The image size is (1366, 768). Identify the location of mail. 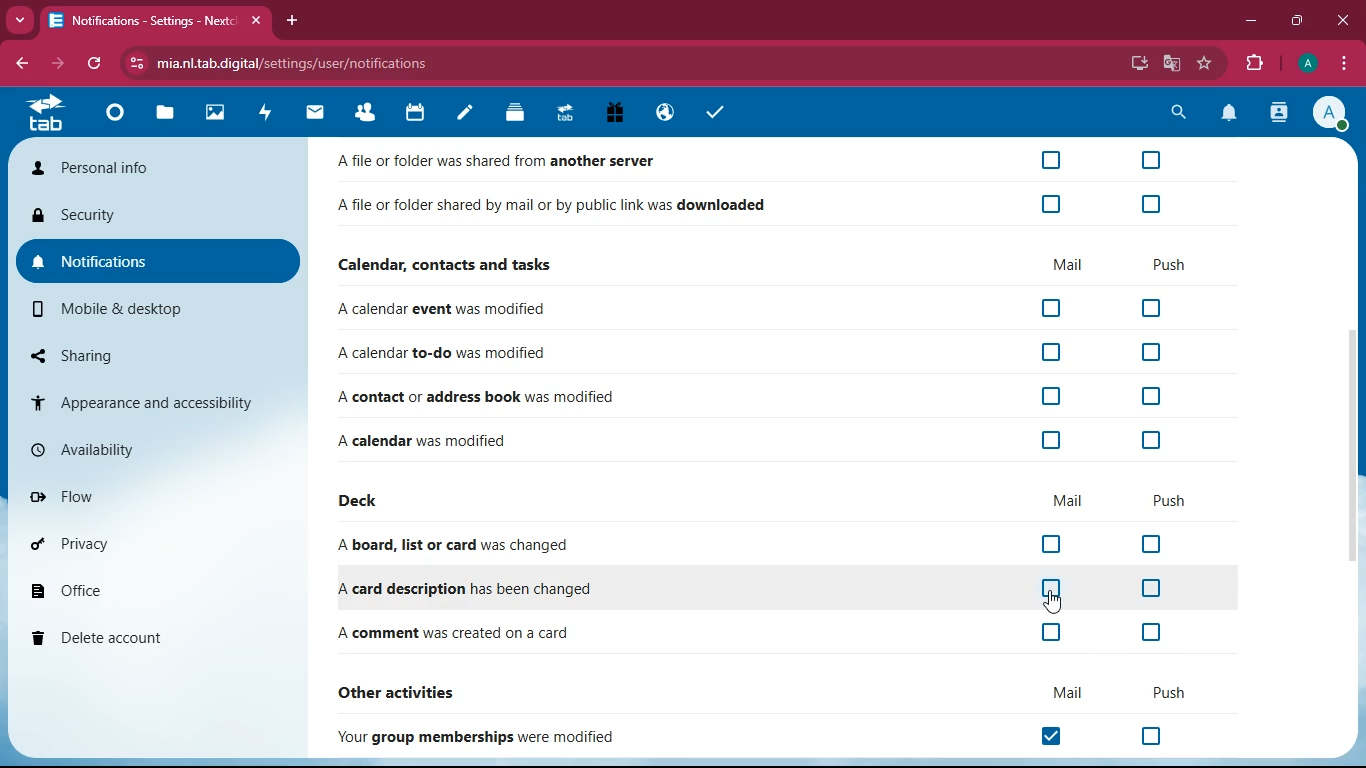
(315, 112).